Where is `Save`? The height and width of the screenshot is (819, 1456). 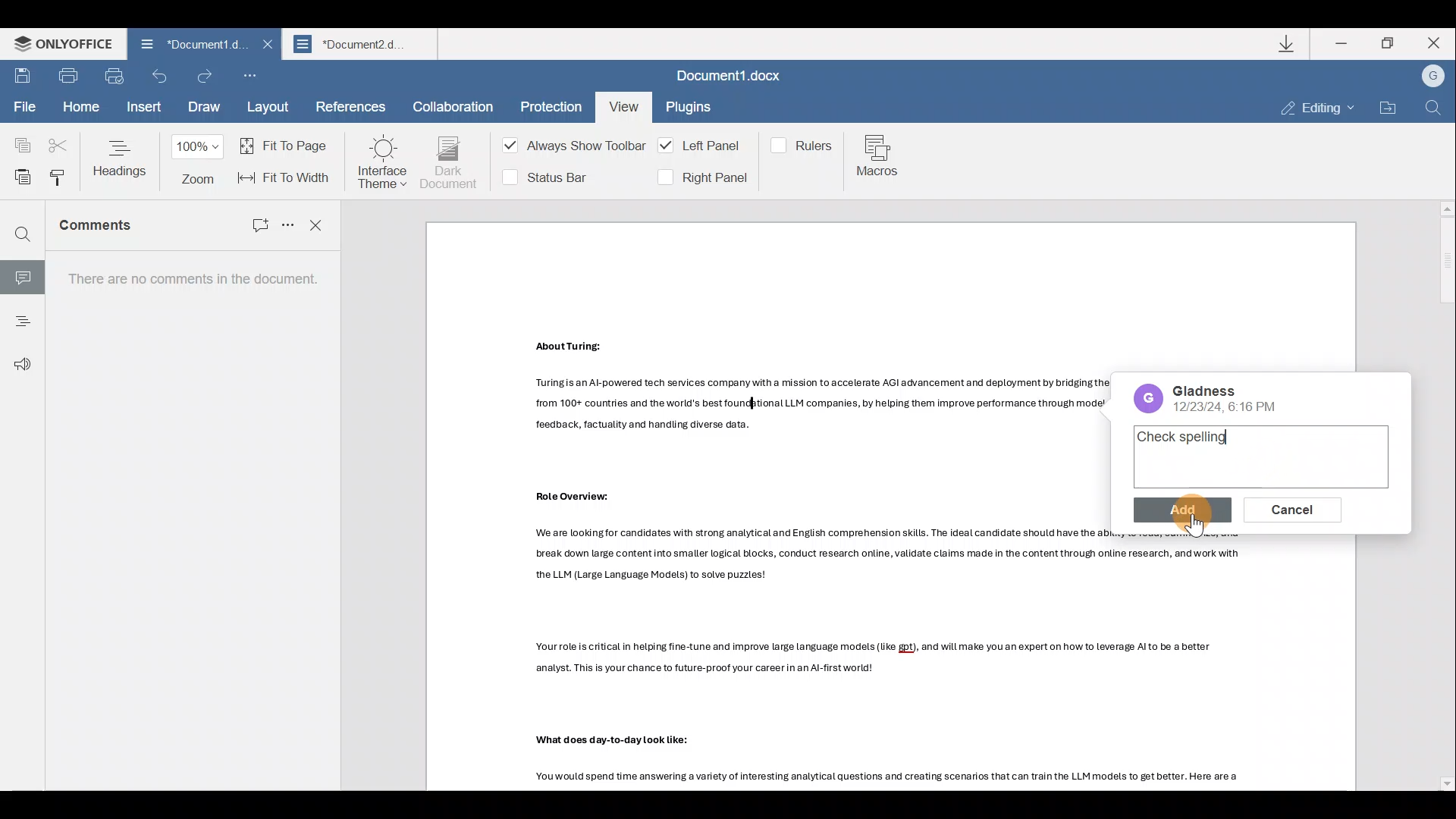
Save is located at coordinates (23, 77).